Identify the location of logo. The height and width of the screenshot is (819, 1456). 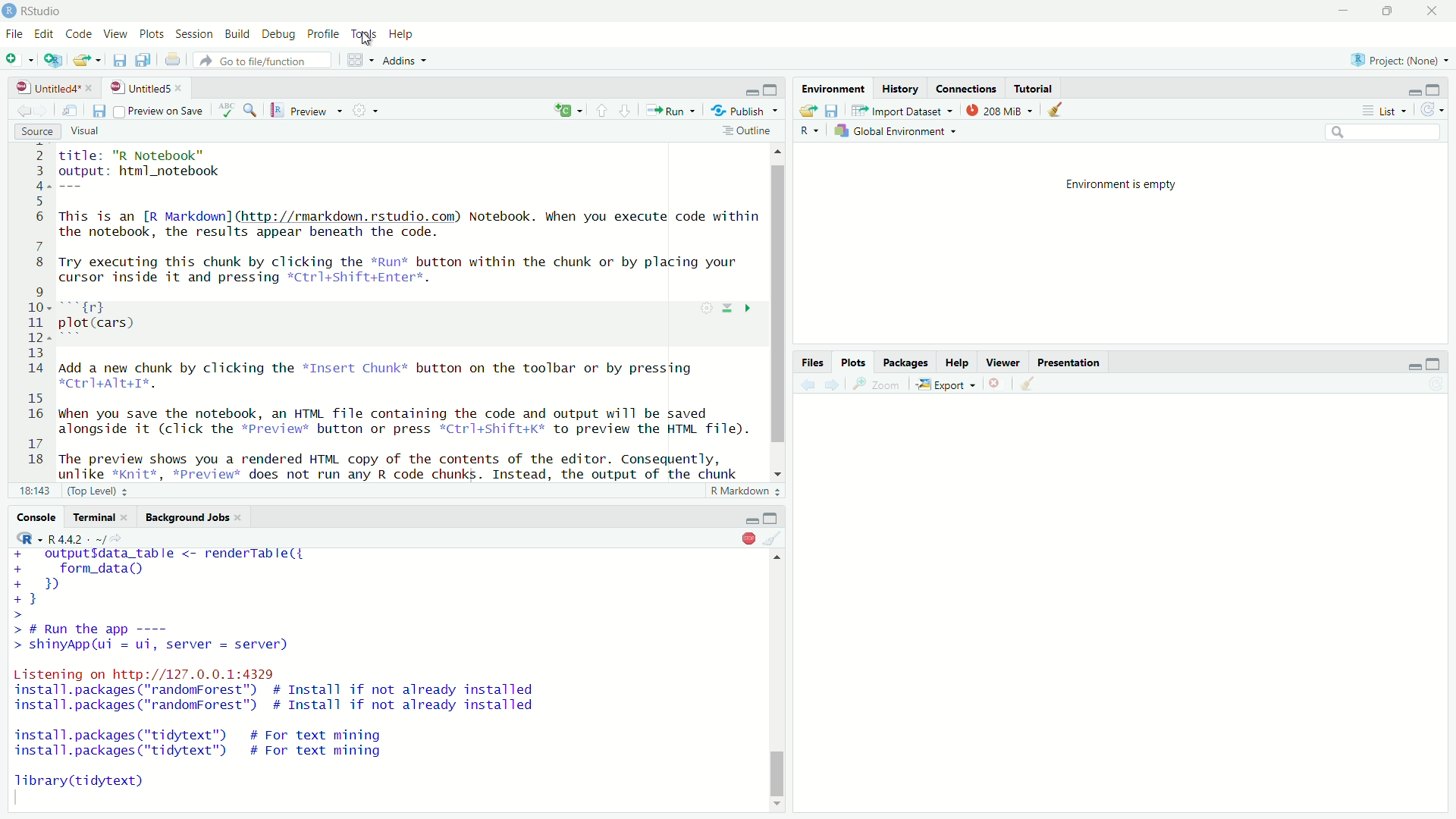
(11, 11).